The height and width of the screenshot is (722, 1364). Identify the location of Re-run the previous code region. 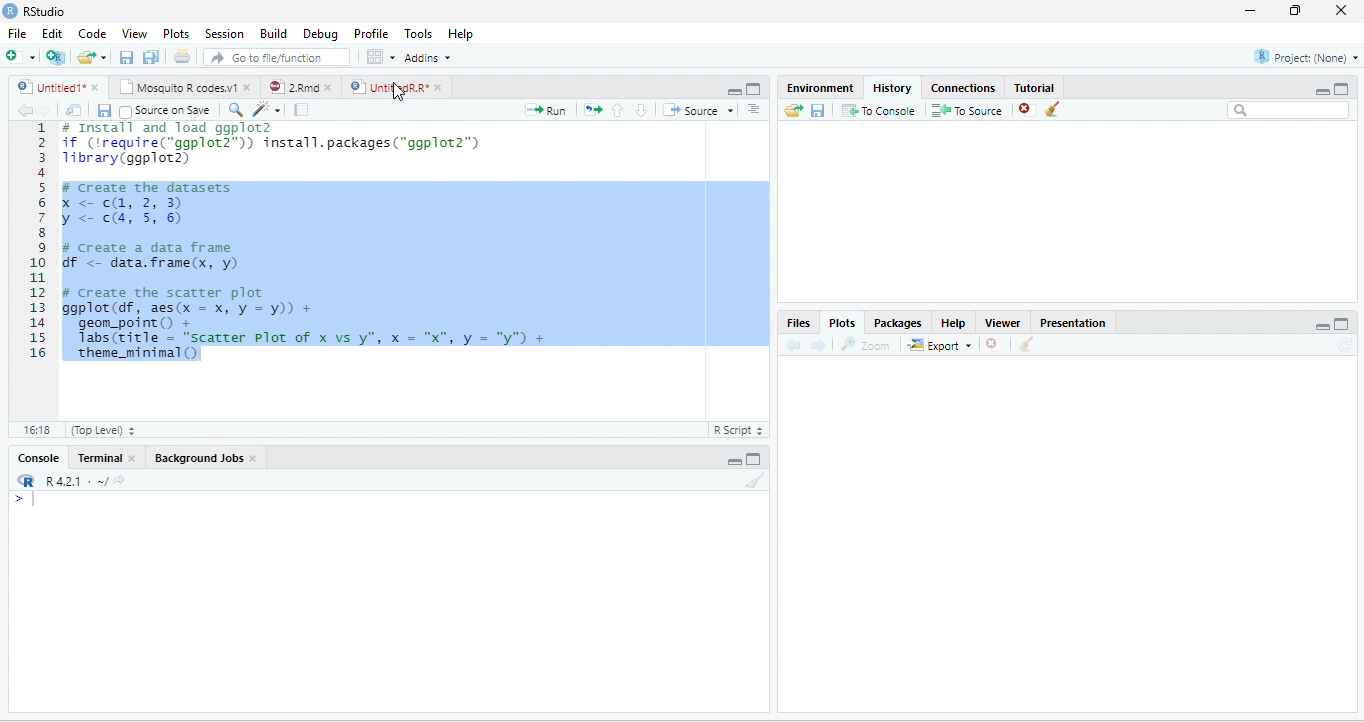
(593, 110).